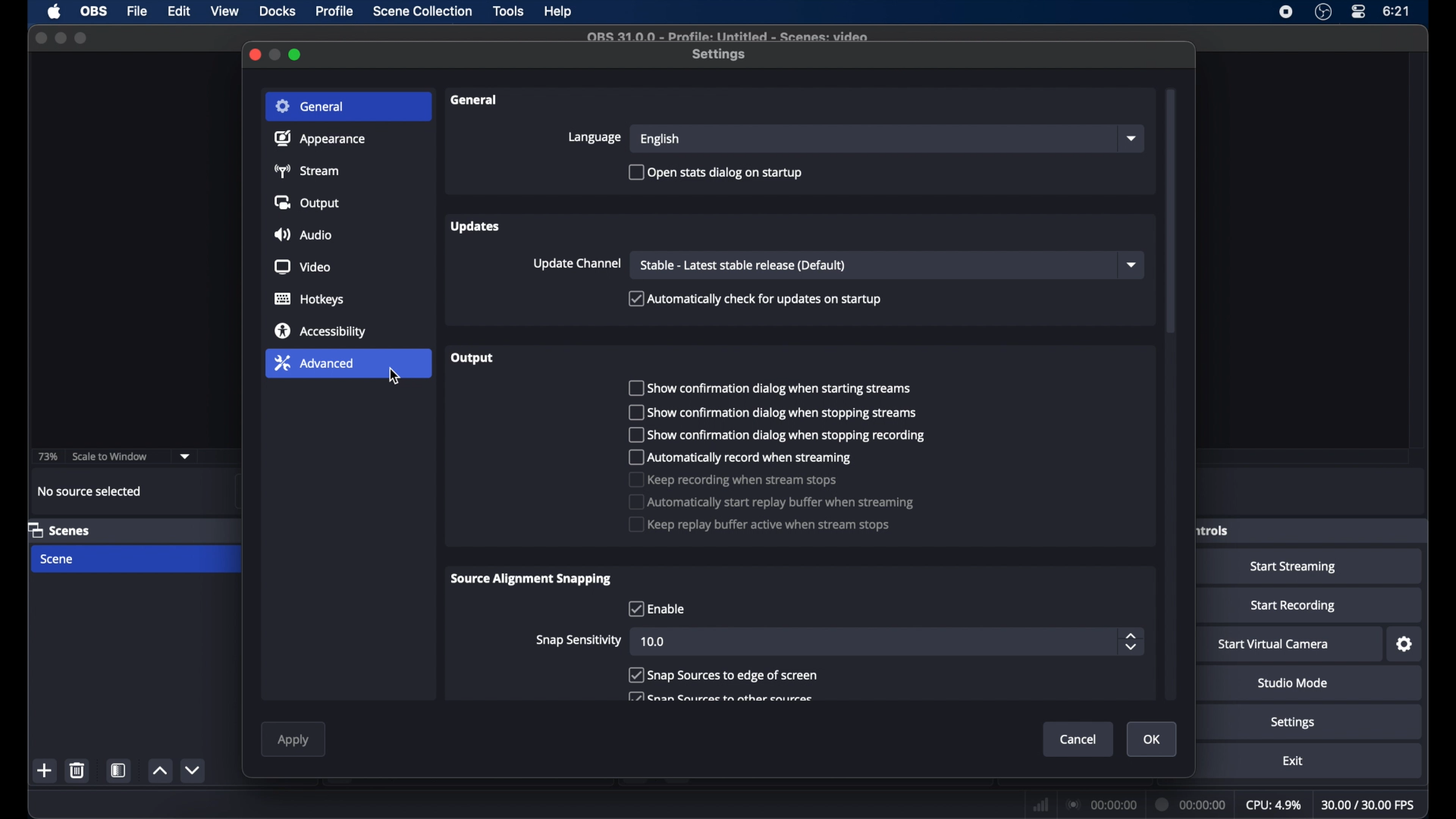 The width and height of the screenshot is (1456, 819). I want to click on profile, so click(336, 11).